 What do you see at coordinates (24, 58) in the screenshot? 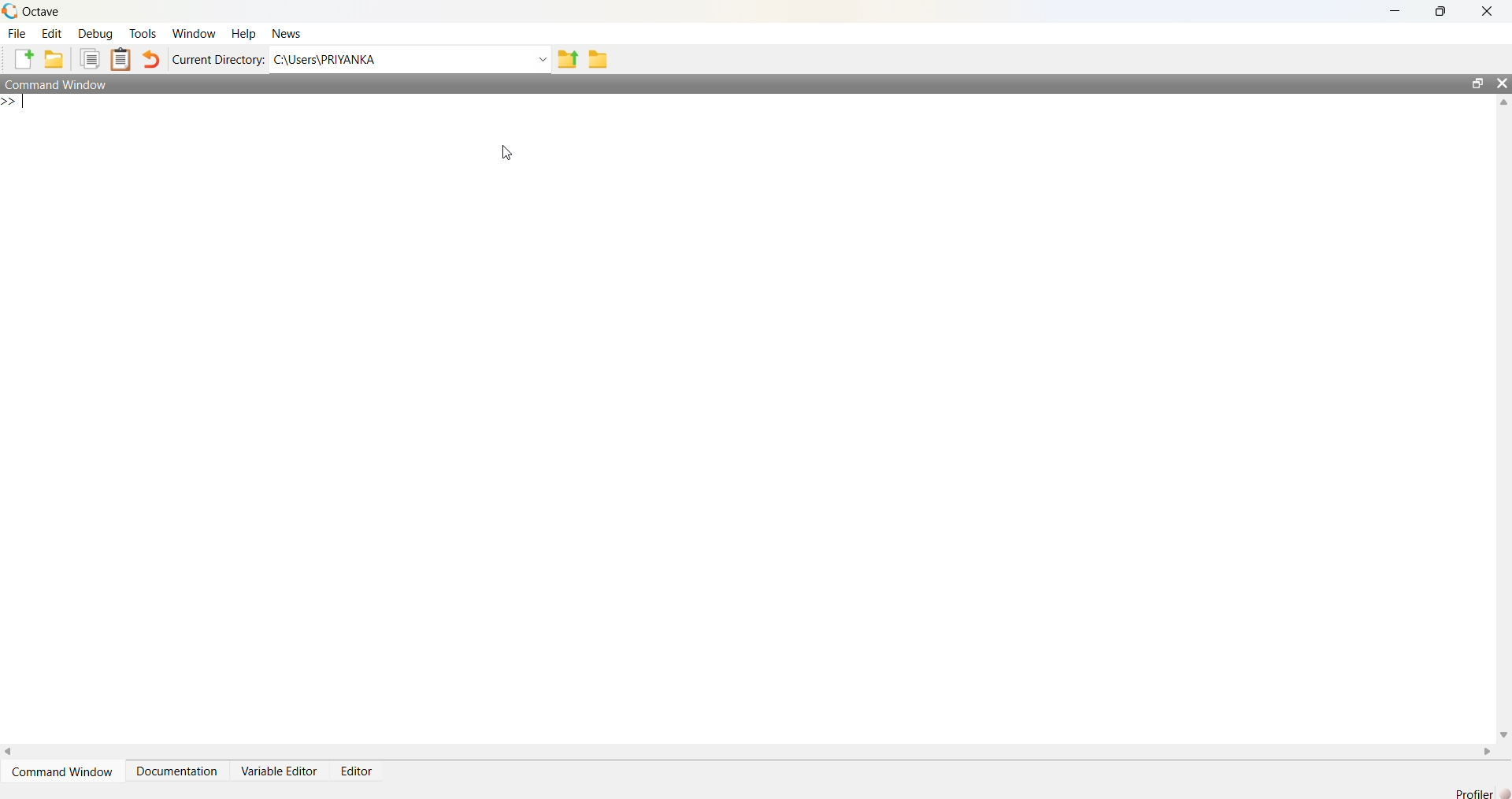
I see `New script` at bounding box center [24, 58].